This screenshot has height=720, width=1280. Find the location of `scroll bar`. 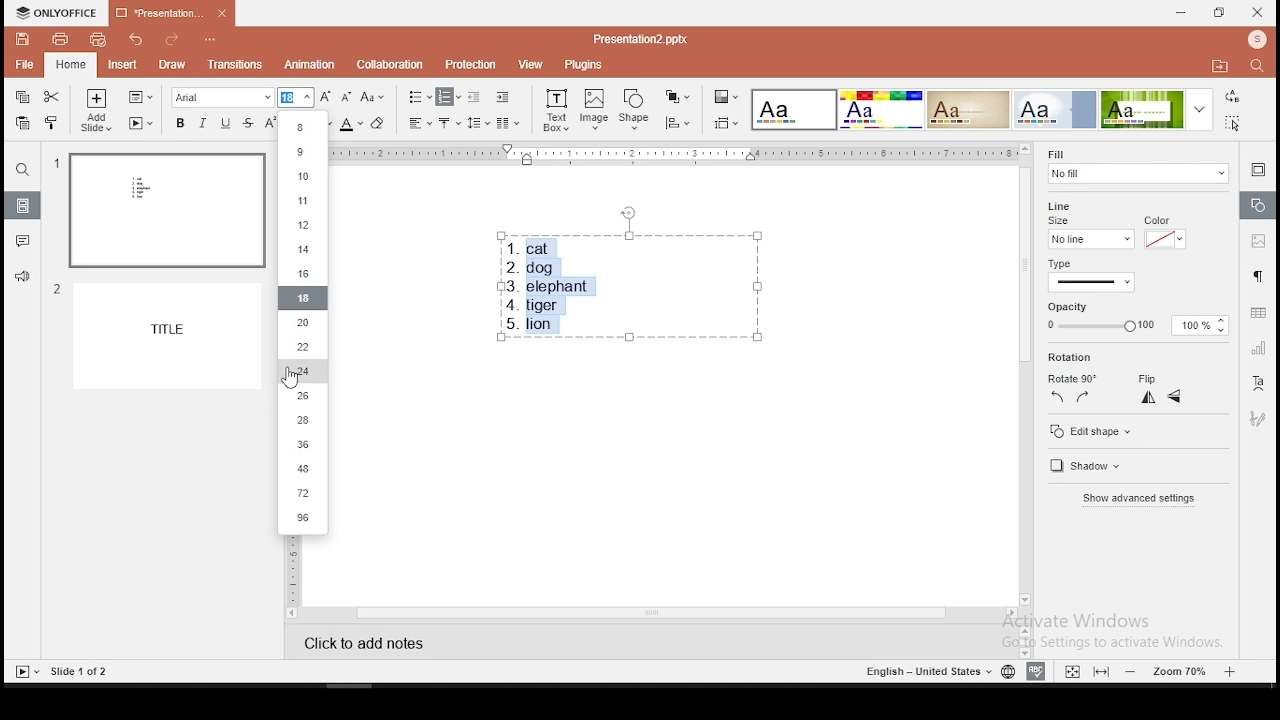

scroll bar is located at coordinates (1024, 374).